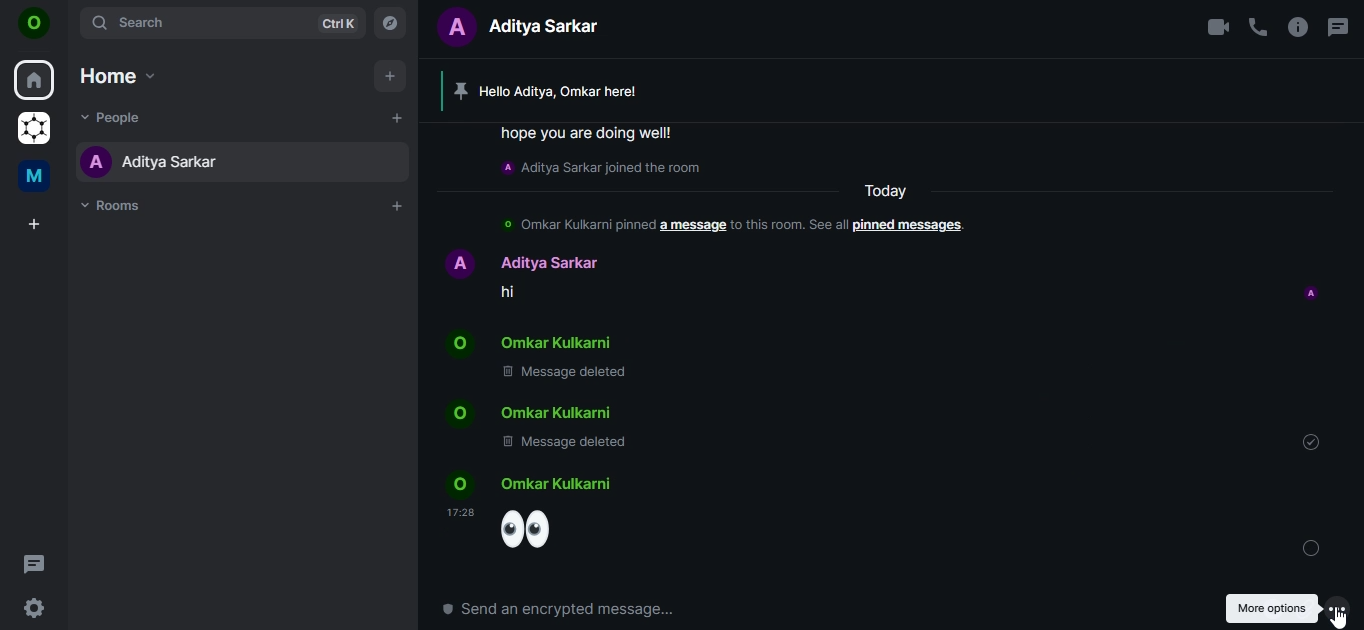 The height and width of the screenshot is (630, 1364). Describe the element at coordinates (116, 207) in the screenshot. I see `rooms` at that location.